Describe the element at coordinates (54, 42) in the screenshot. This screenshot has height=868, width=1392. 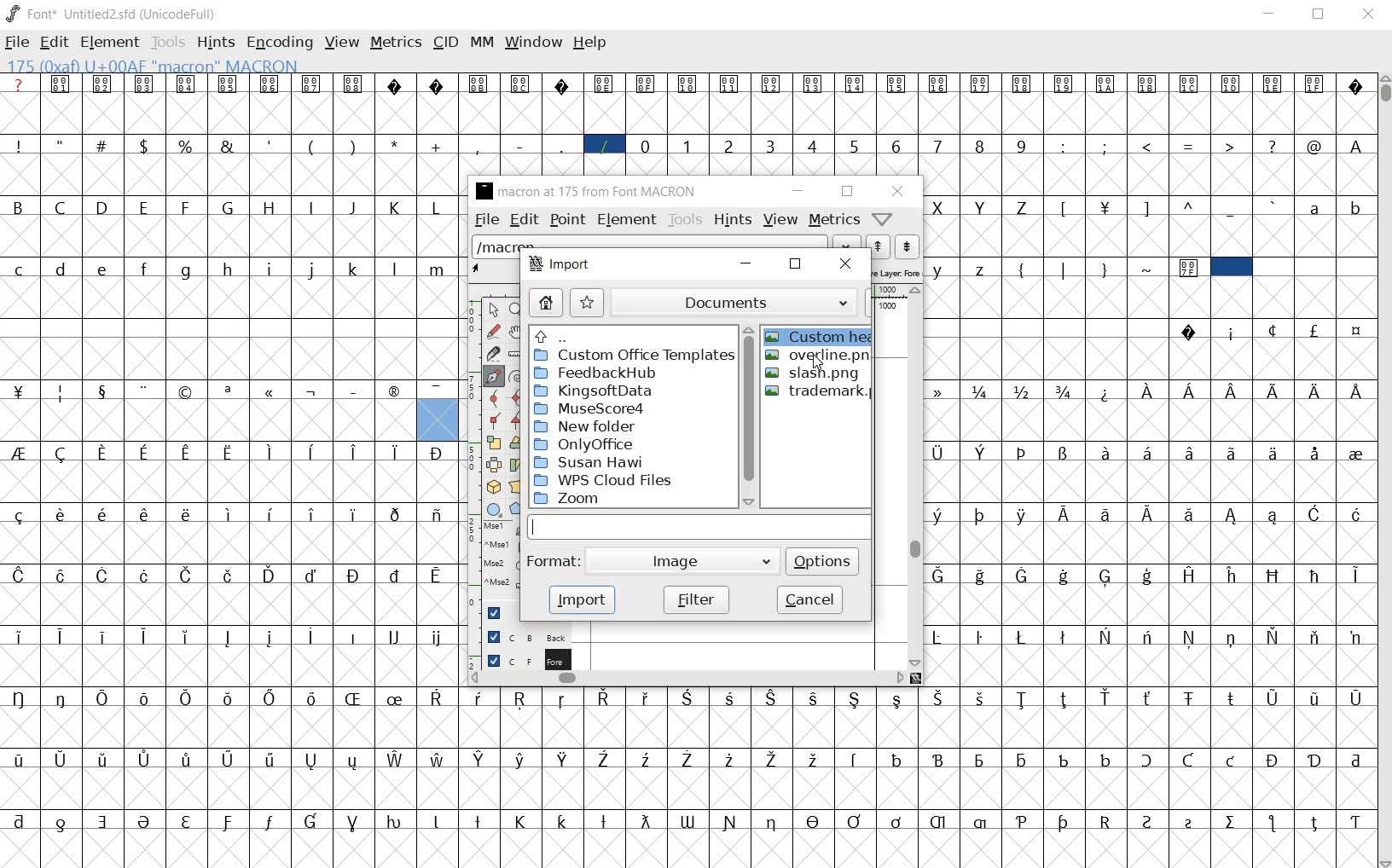
I see `edit` at that location.